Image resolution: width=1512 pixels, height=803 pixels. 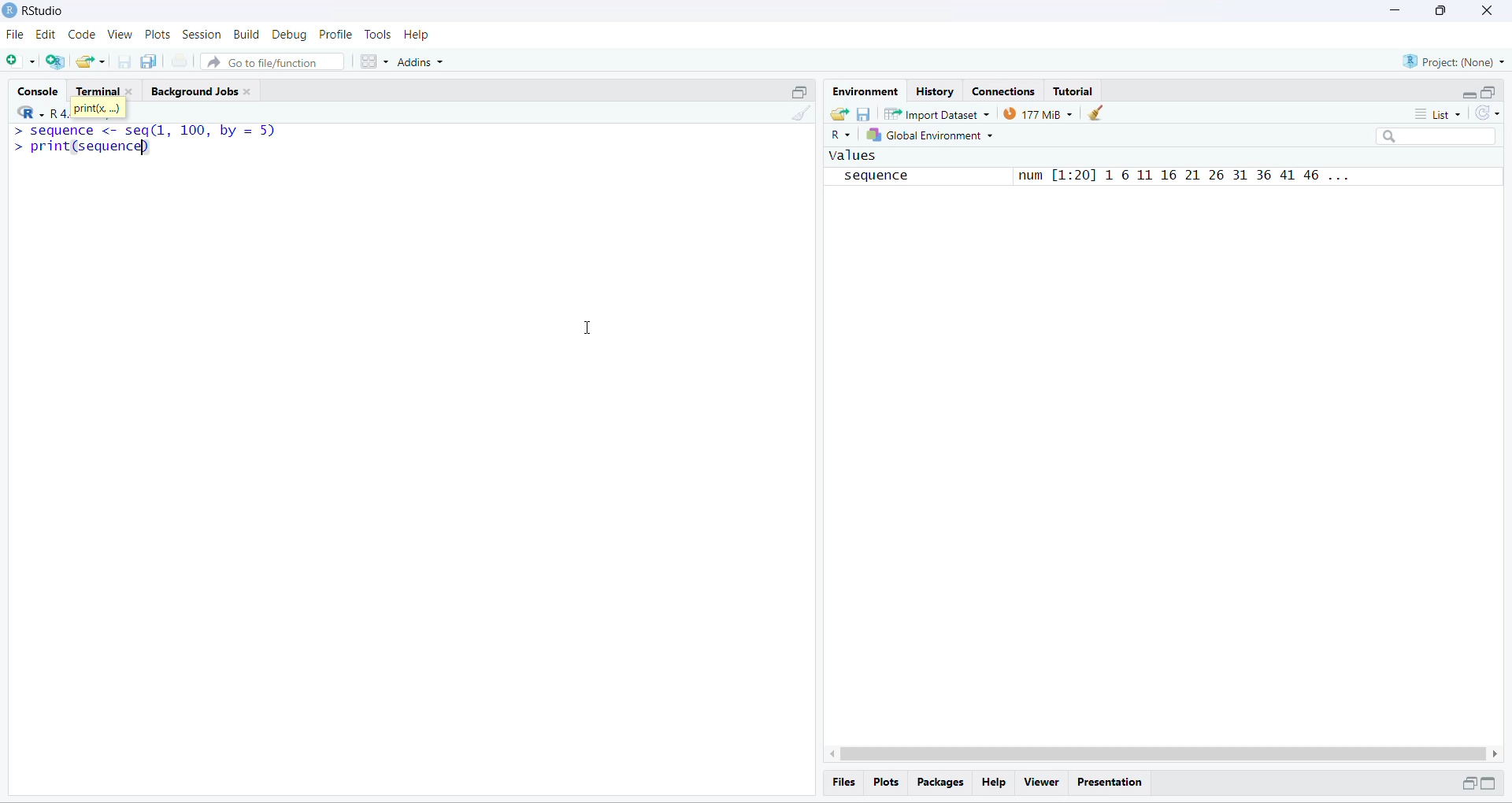 What do you see at coordinates (120, 34) in the screenshot?
I see `view` at bounding box center [120, 34].